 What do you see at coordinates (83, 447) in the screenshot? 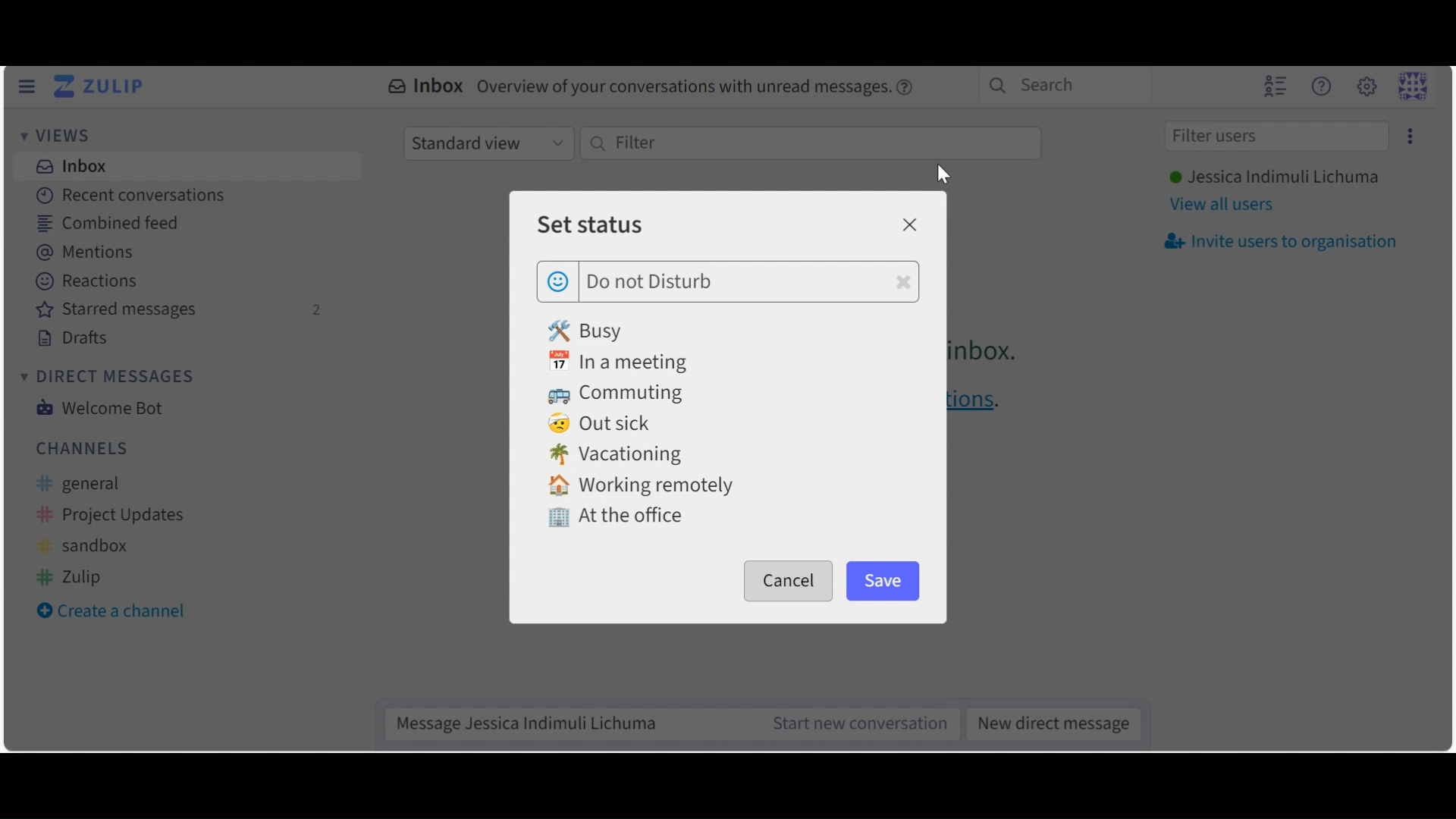
I see `Channels` at bounding box center [83, 447].